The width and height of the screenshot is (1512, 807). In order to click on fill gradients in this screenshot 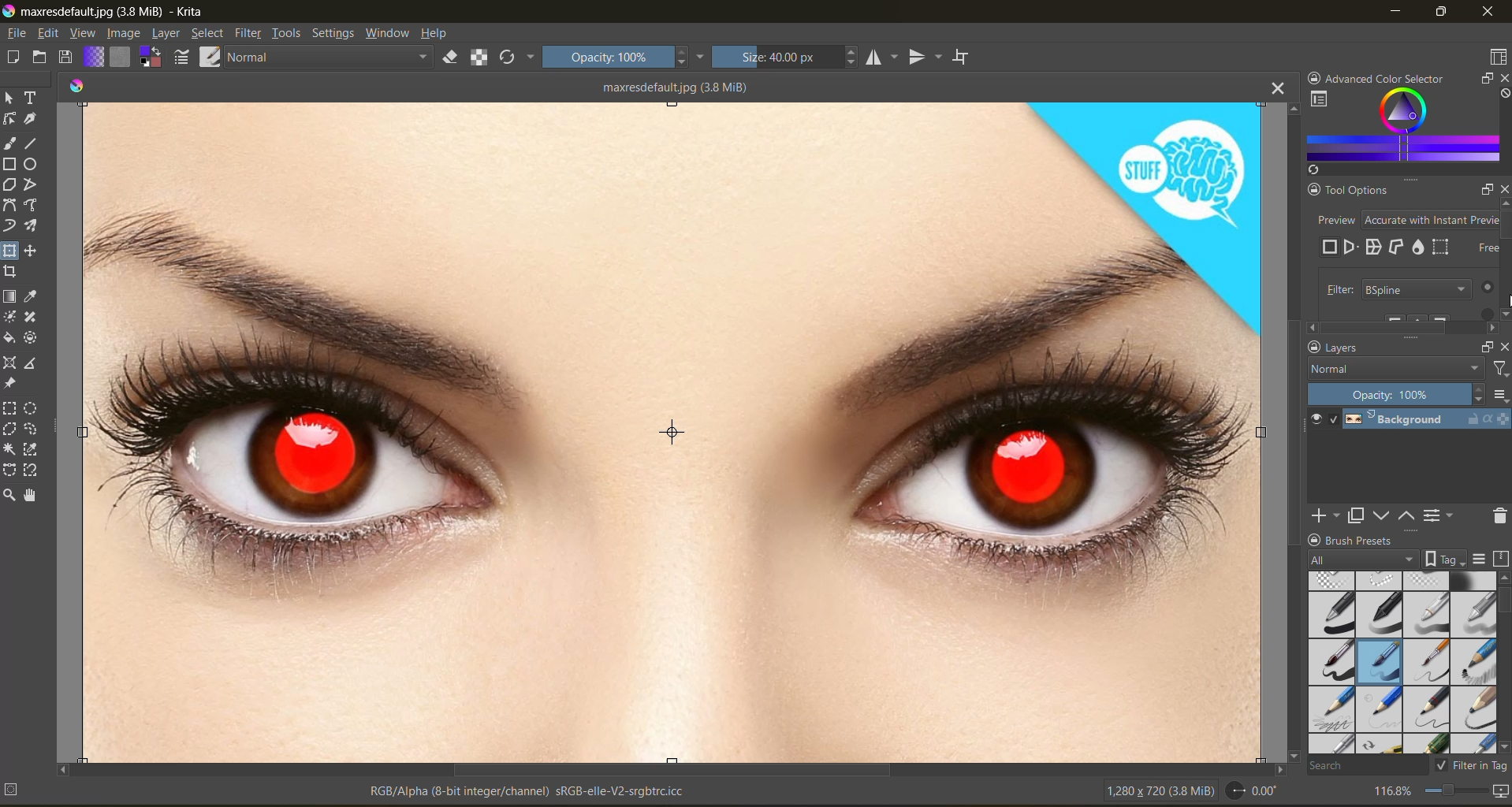, I will do `click(99, 57)`.